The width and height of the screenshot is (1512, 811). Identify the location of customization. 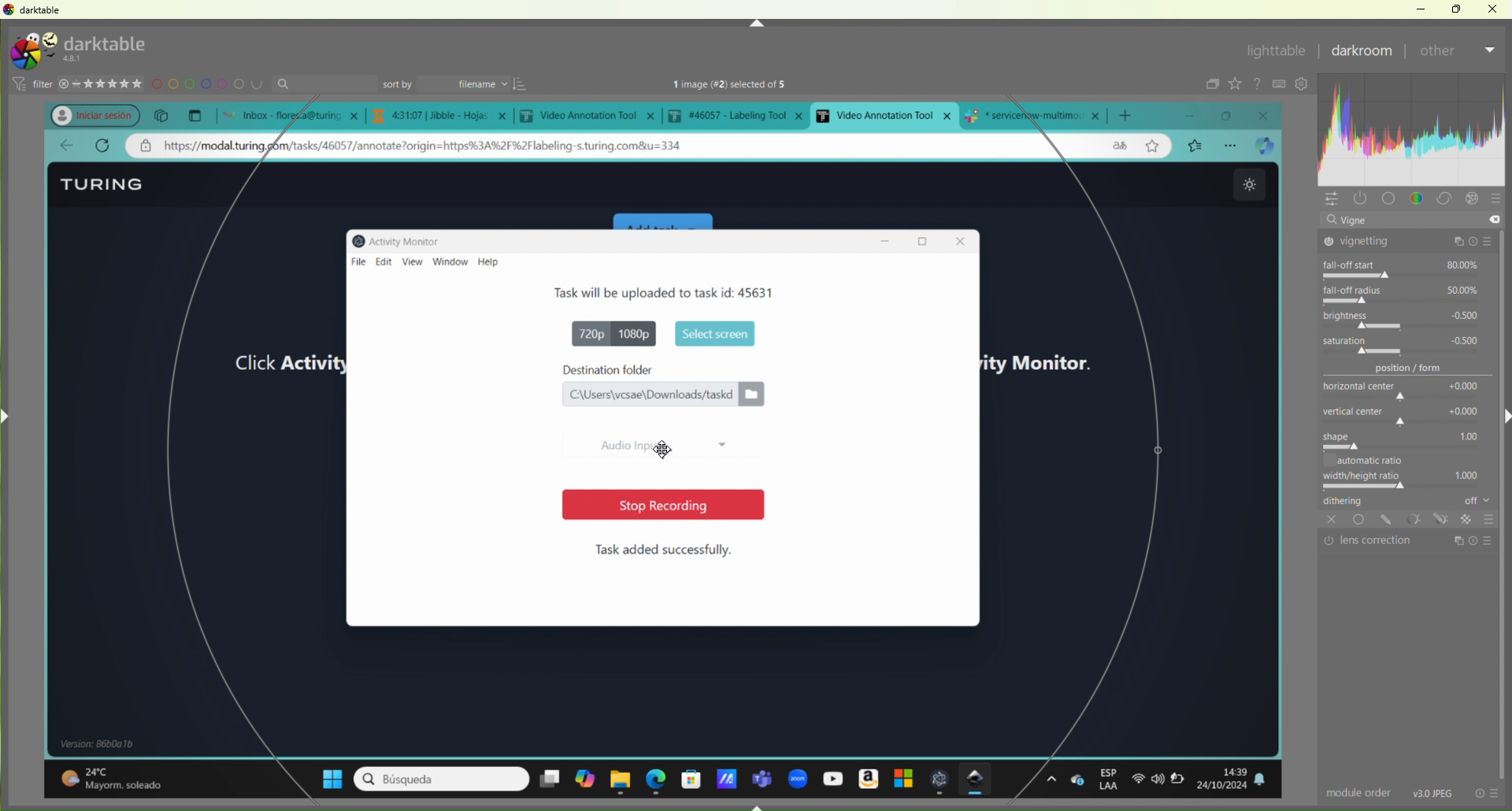
(1414, 141).